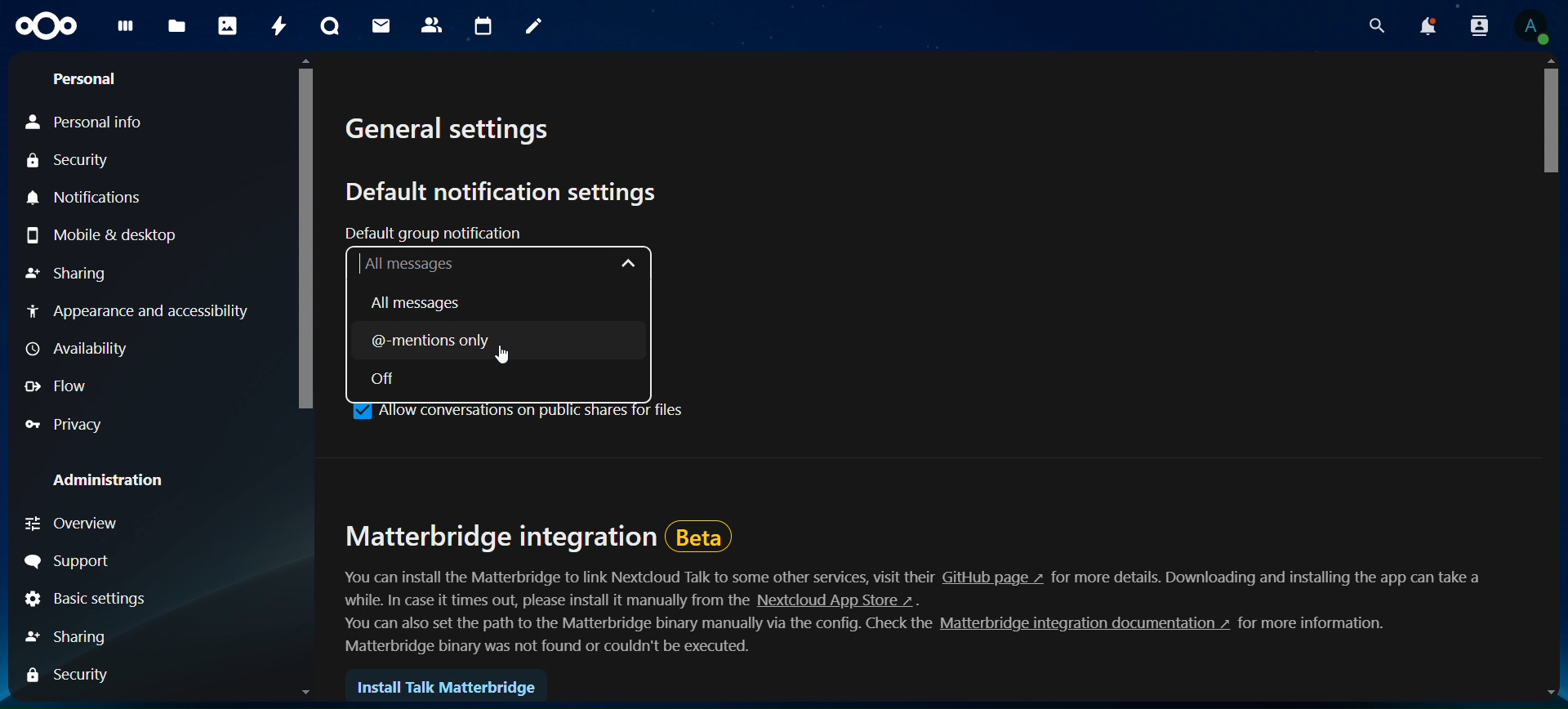  What do you see at coordinates (481, 26) in the screenshot?
I see `calendar` at bounding box center [481, 26].